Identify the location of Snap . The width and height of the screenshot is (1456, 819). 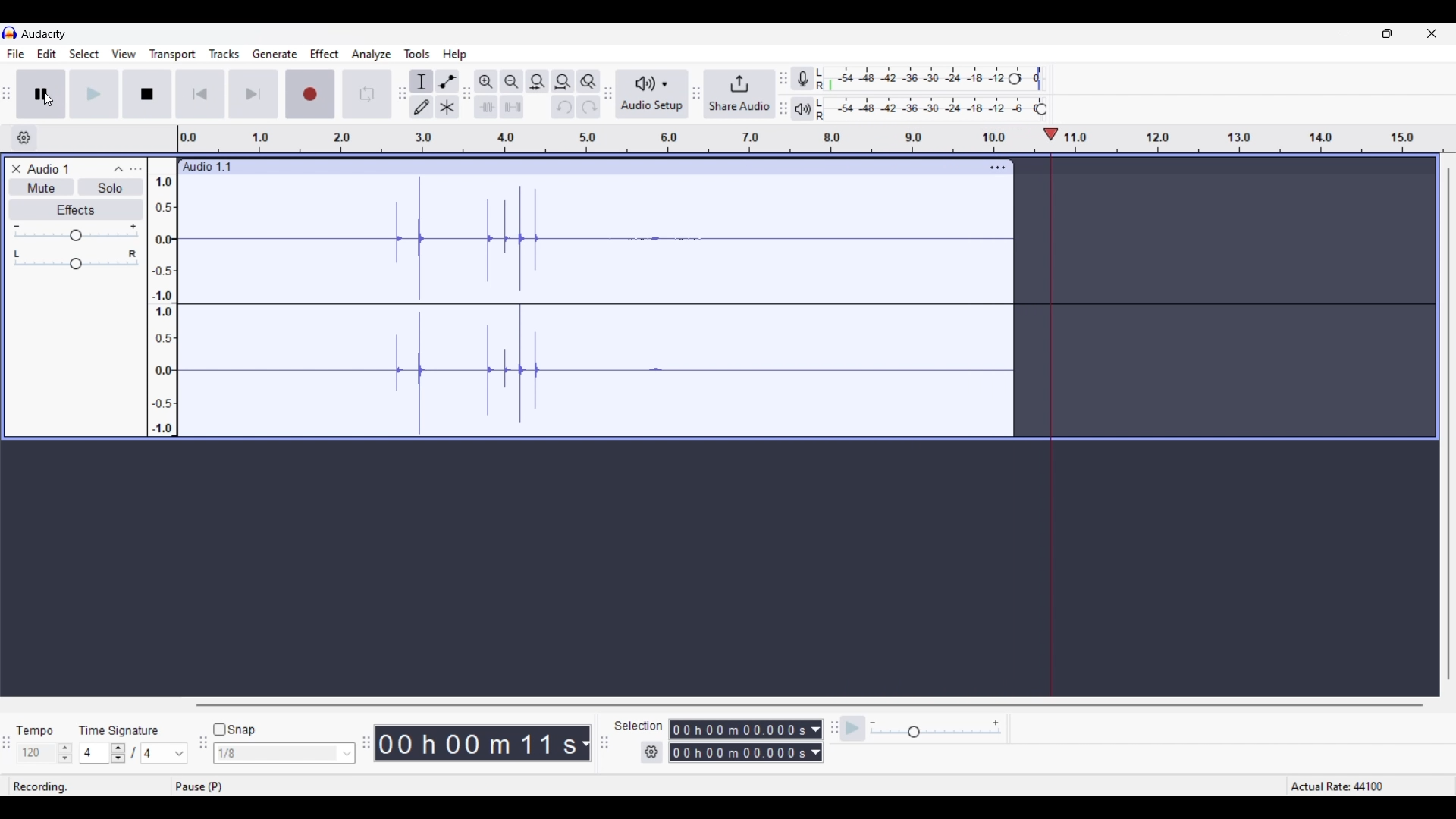
(234, 730).